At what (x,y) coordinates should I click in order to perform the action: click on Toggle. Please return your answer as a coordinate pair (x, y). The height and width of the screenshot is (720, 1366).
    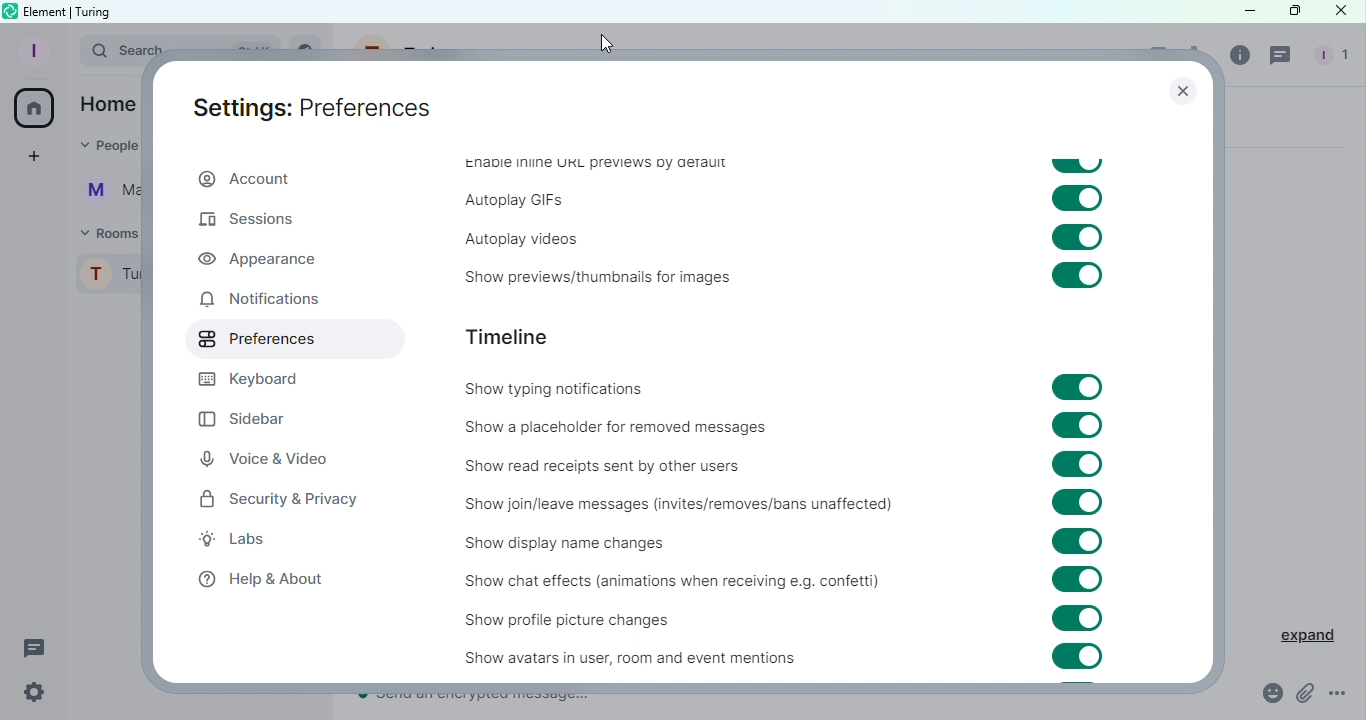
    Looking at the image, I should click on (1078, 503).